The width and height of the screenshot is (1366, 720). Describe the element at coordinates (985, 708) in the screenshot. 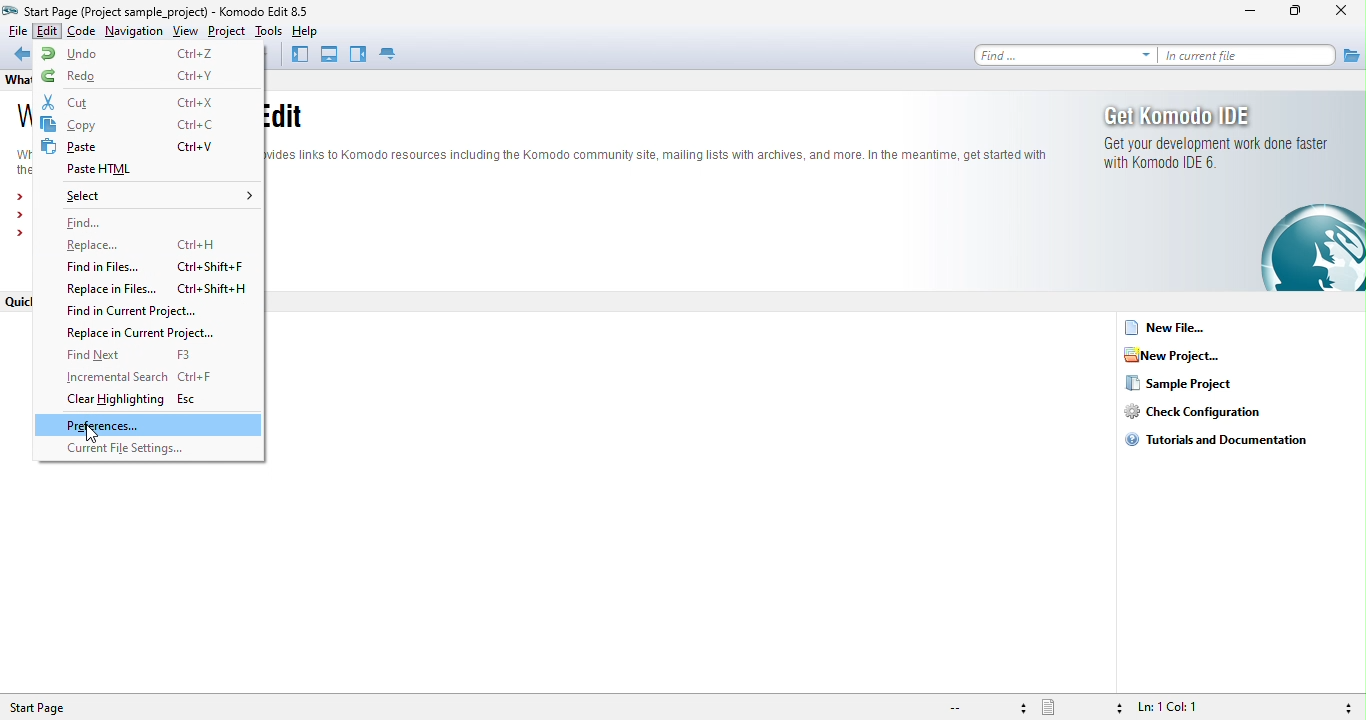

I see `file encoding` at that location.